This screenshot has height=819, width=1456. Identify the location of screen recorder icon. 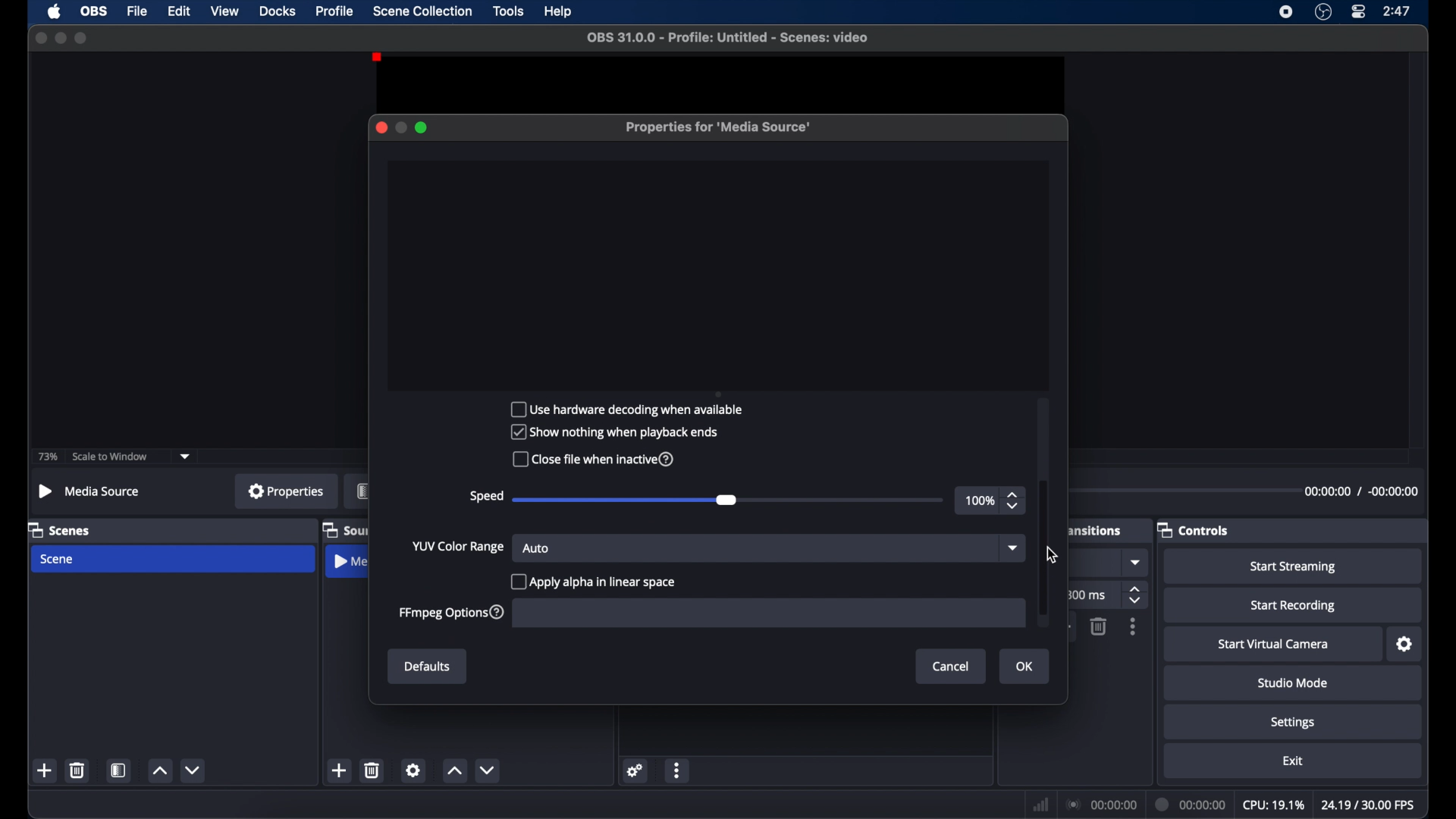
(1286, 12).